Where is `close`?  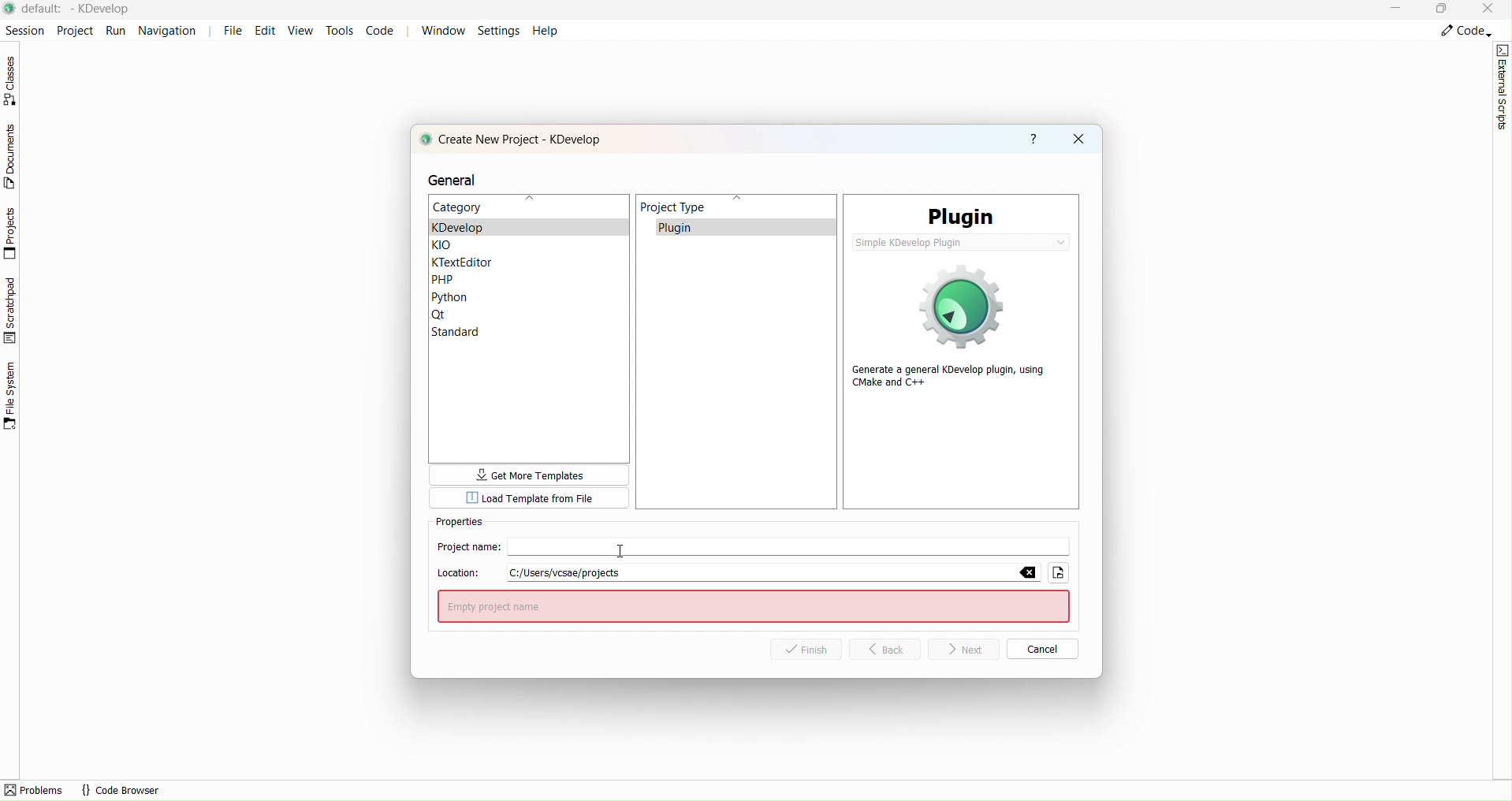 close is located at coordinates (1078, 140).